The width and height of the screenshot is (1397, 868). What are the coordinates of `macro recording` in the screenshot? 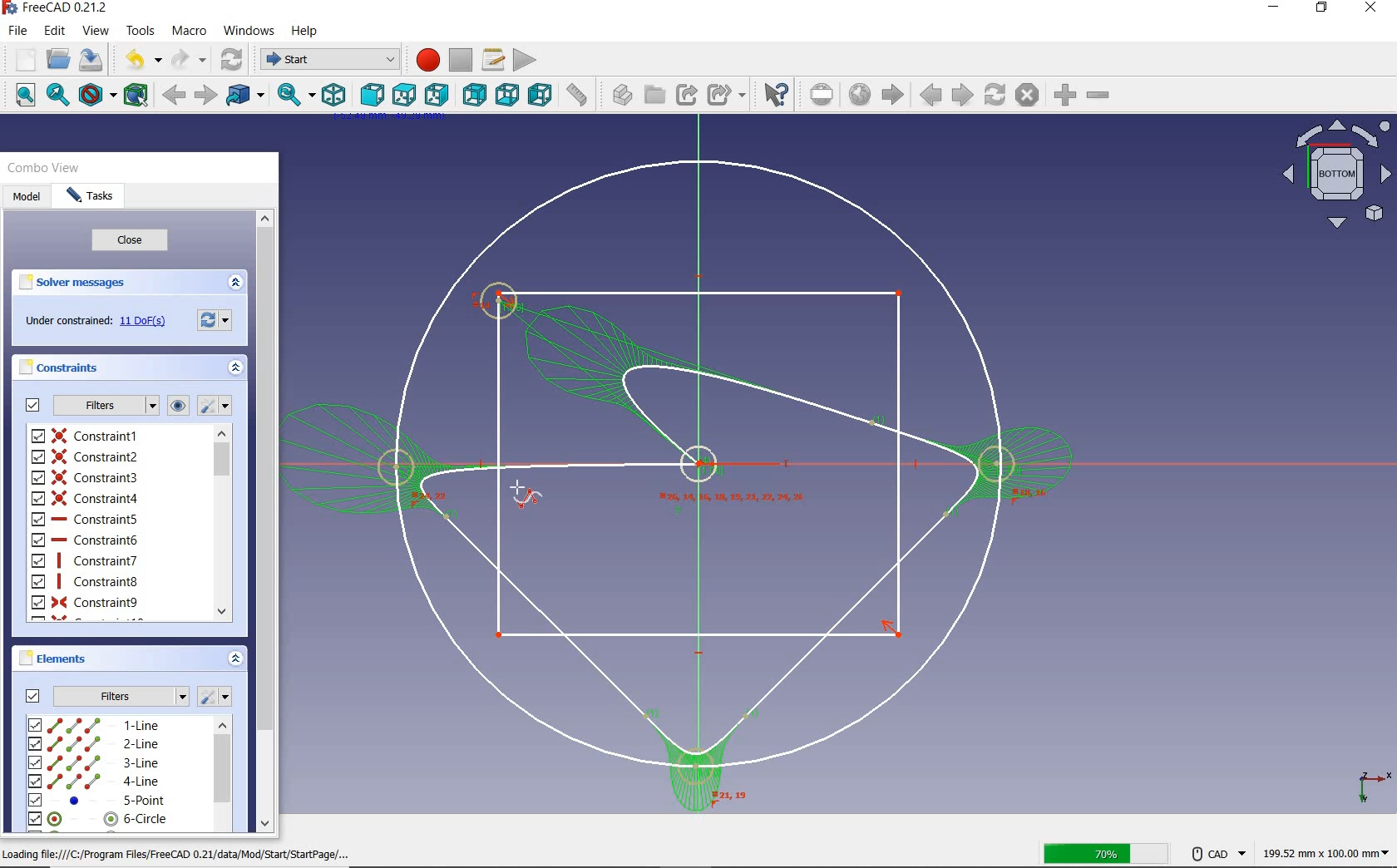 It's located at (423, 58).